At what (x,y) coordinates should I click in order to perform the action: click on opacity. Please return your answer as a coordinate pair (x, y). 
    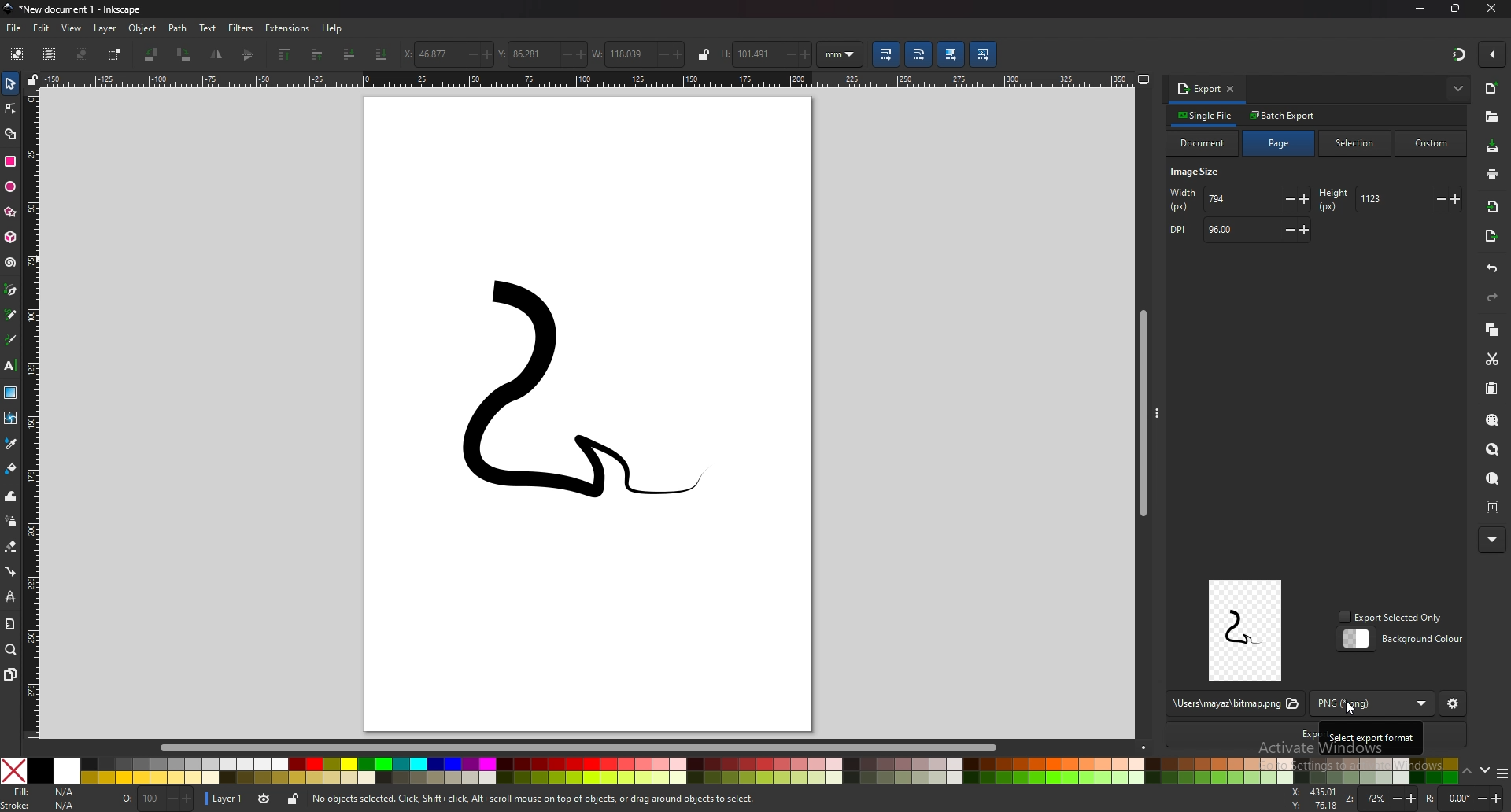
    Looking at the image, I should click on (157, 798).